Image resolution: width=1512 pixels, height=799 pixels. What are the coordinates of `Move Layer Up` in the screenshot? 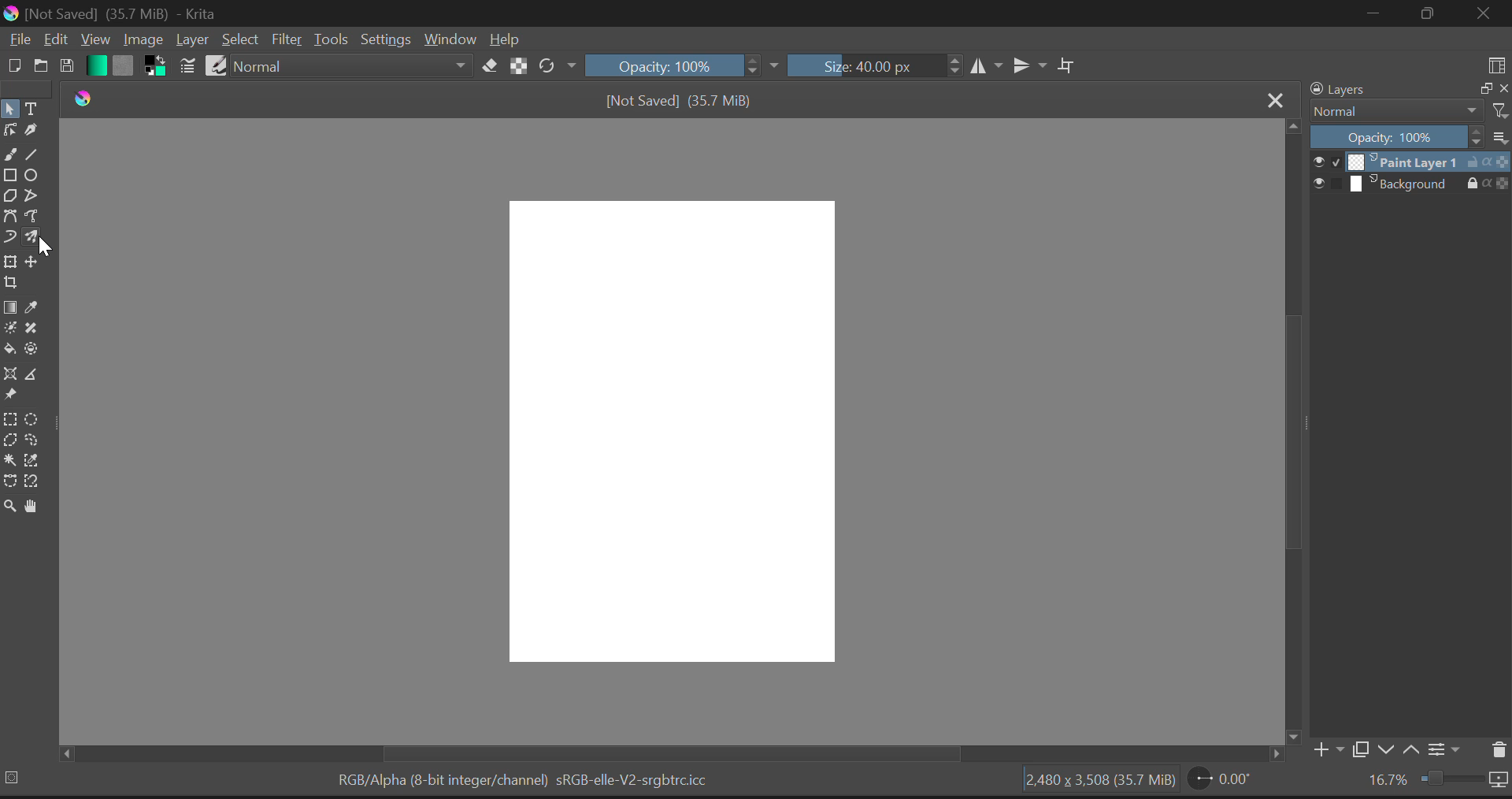 It's located at (1416, 750).